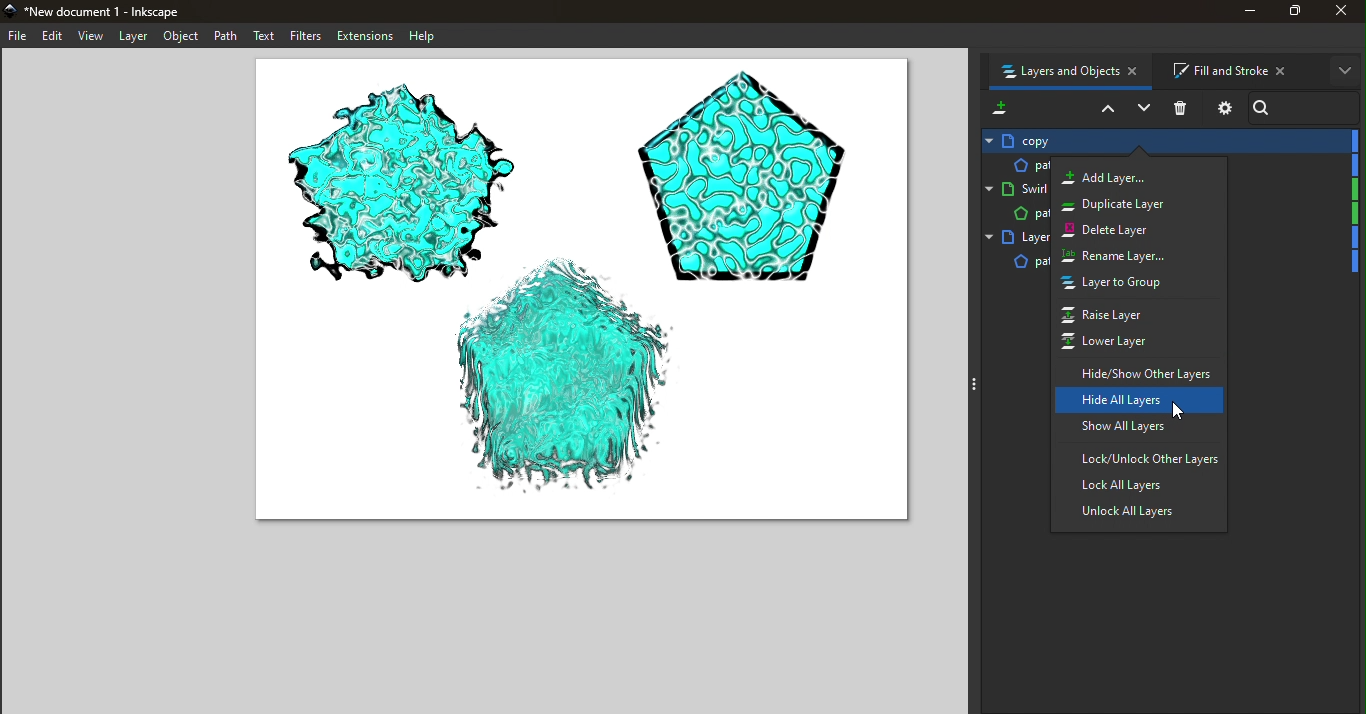 The width and height of the screenshot is (1366, 714). What do you see at coordinates (1135, 230) in the screenshot?
I see `Delete layer` at bounding box center [1135, 230].